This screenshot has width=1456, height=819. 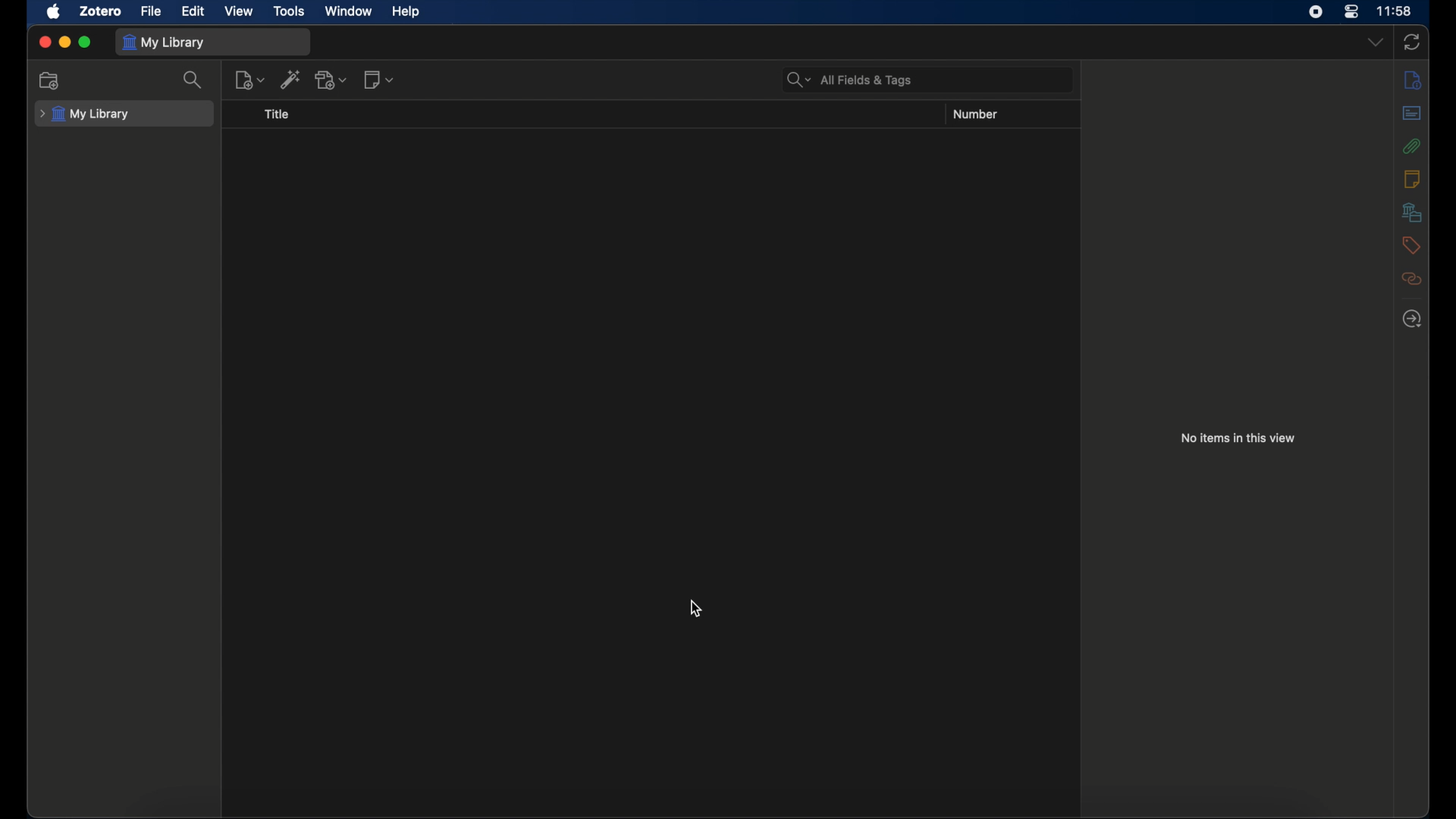 I want to click on view, so click(x=240, y=11).